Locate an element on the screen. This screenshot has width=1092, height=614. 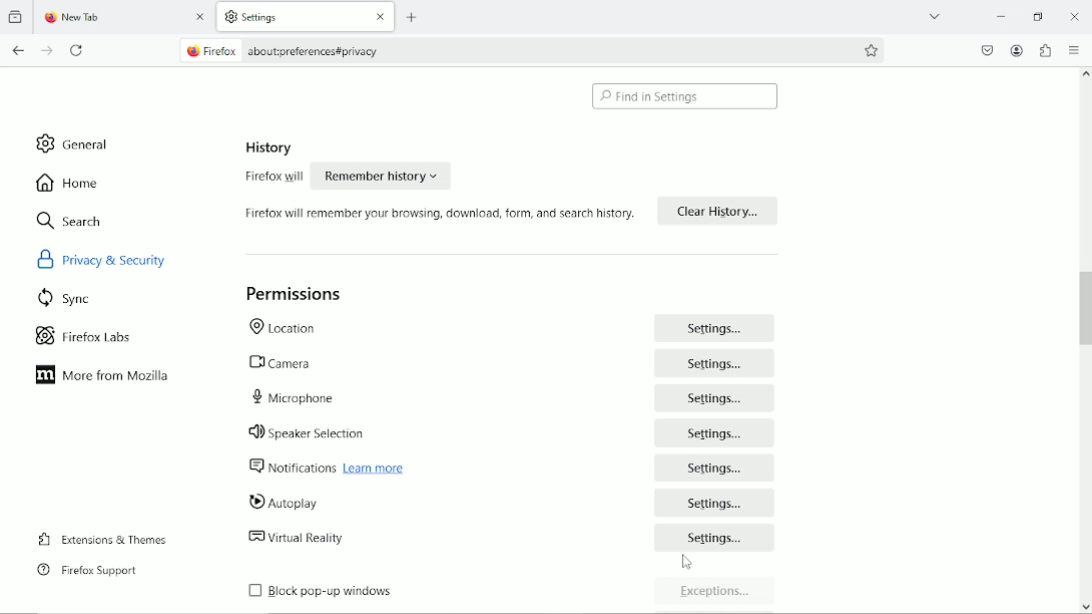
scroll up is located at coordinates (1079, 78).